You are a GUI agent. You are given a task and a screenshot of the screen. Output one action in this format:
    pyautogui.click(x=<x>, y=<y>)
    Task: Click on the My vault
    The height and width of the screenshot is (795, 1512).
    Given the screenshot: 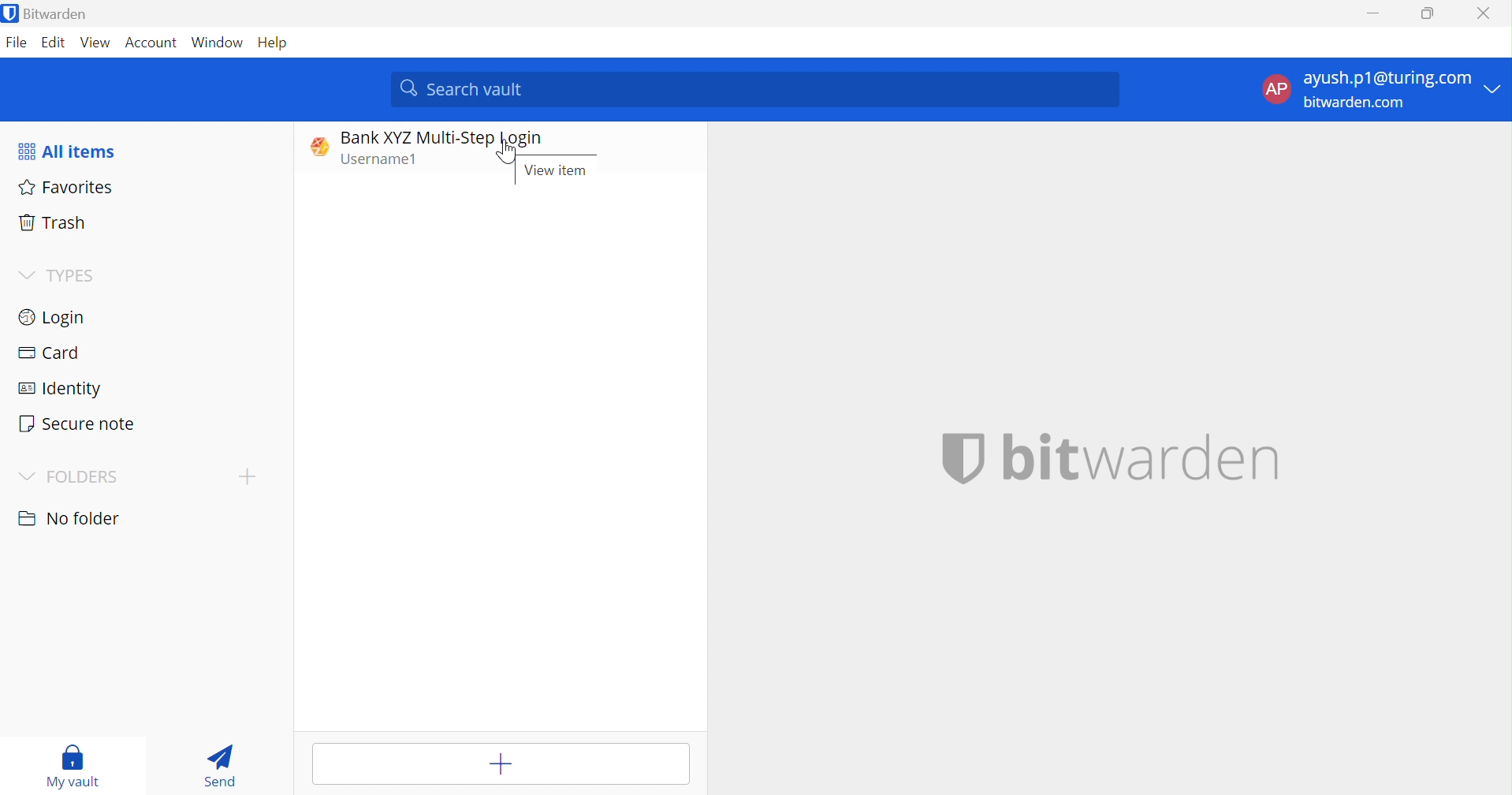 What is the action you would take?
    pyautogui.click(x=72, y=766)
    